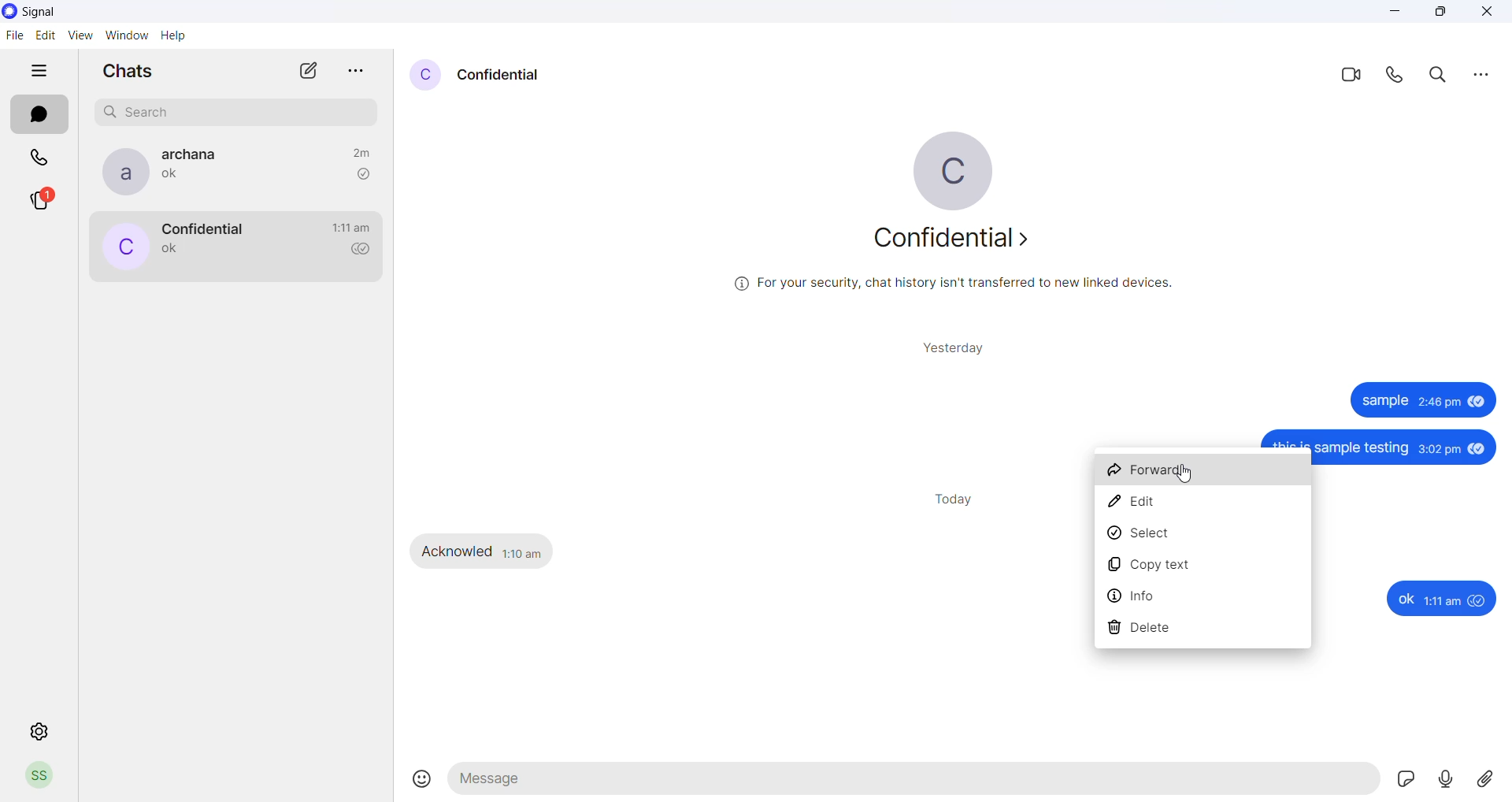  Describe the element at coordinates (120, 172) in the screenshot. I see `profile picture` at that location.